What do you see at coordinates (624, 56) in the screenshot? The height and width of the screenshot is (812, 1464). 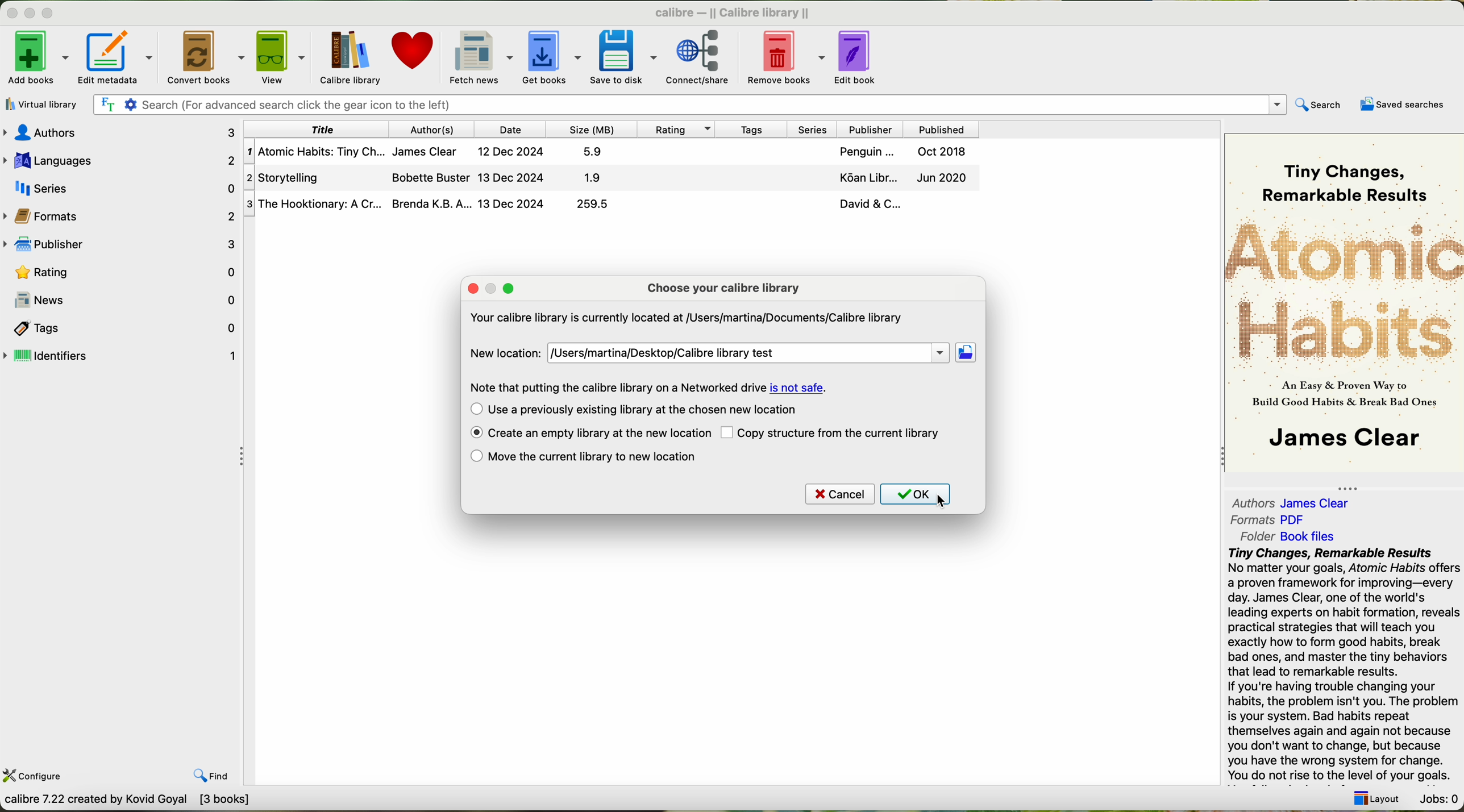 I see `save to disk` at bounding box center [624, 56].